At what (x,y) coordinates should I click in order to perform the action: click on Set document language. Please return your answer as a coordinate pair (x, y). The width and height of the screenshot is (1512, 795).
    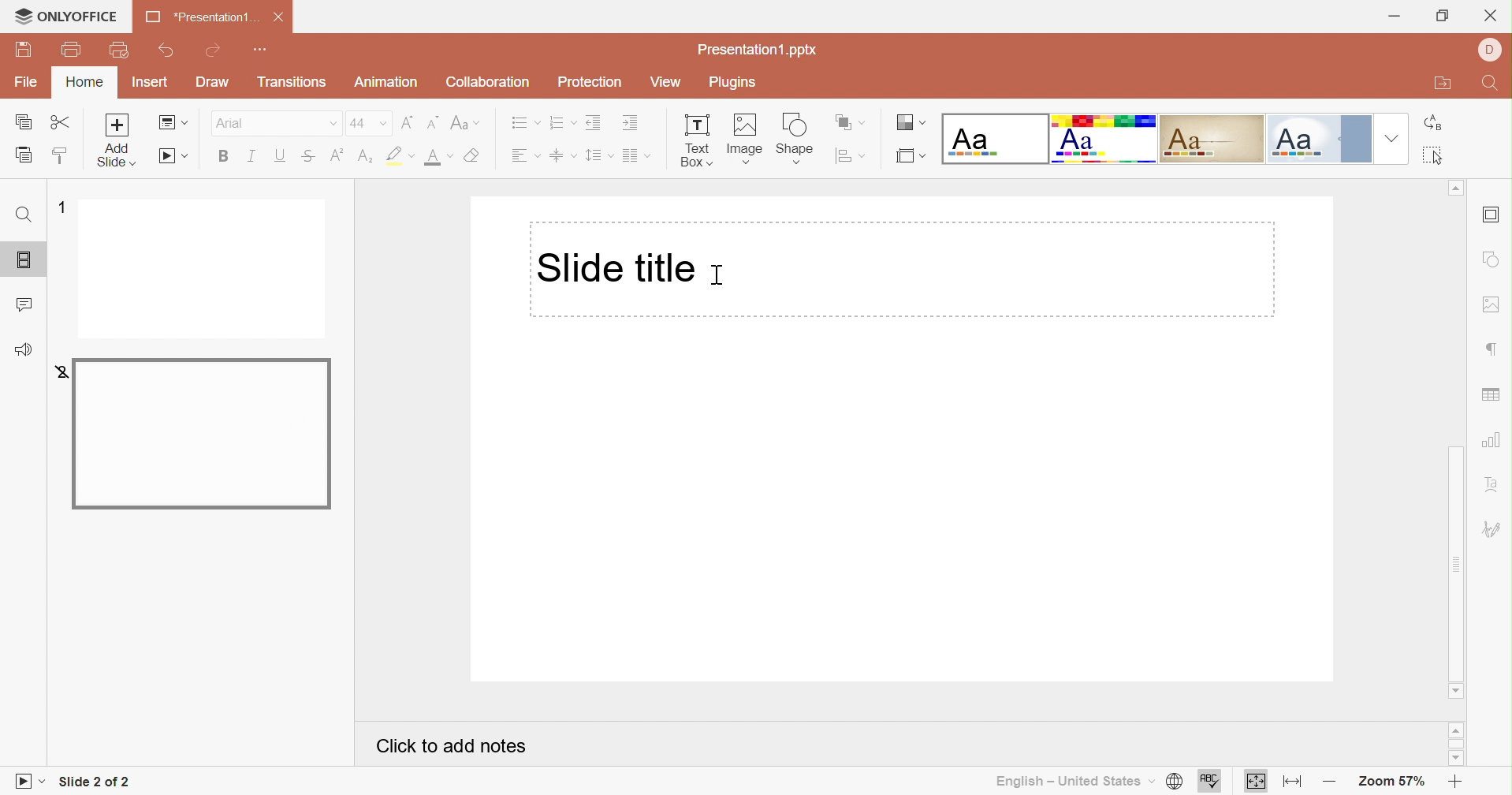
    Looking at the image, I should click on (1177, 782).